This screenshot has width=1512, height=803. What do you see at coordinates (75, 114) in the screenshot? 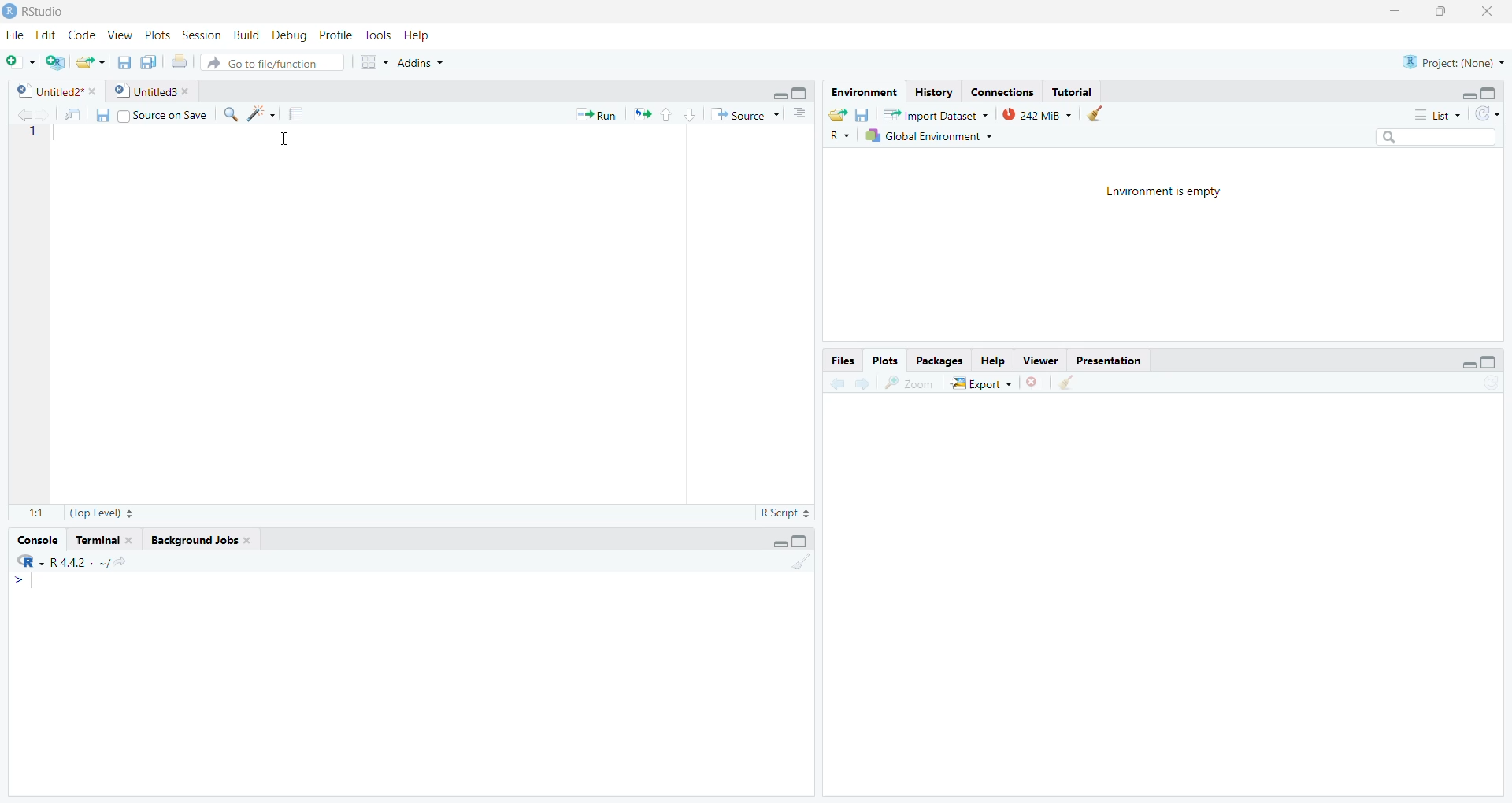
I see `show in window` at bounding box center [75, 114].